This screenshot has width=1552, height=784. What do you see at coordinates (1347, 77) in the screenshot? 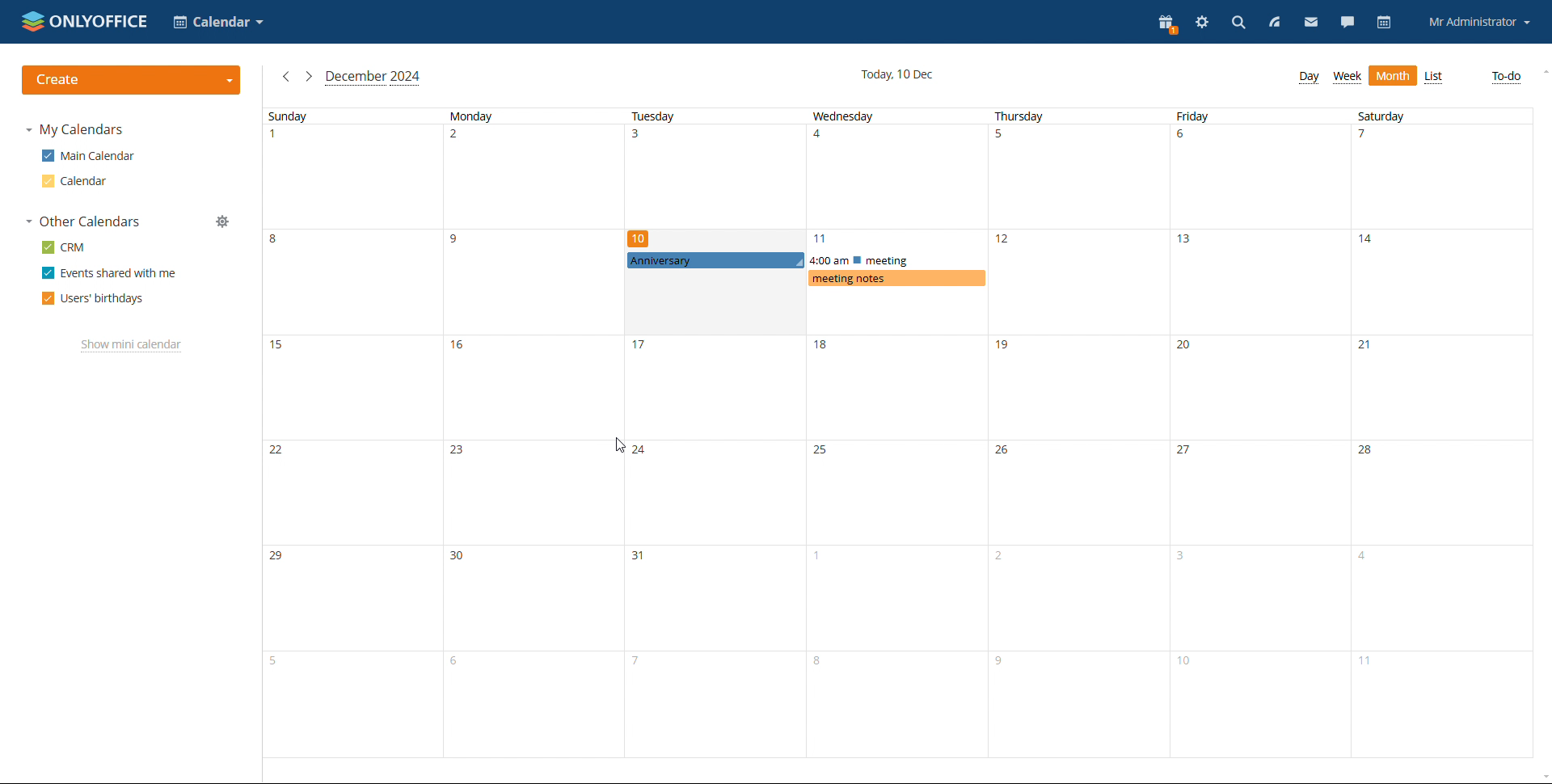
I see `week view` at bounding box center [1347, 77].